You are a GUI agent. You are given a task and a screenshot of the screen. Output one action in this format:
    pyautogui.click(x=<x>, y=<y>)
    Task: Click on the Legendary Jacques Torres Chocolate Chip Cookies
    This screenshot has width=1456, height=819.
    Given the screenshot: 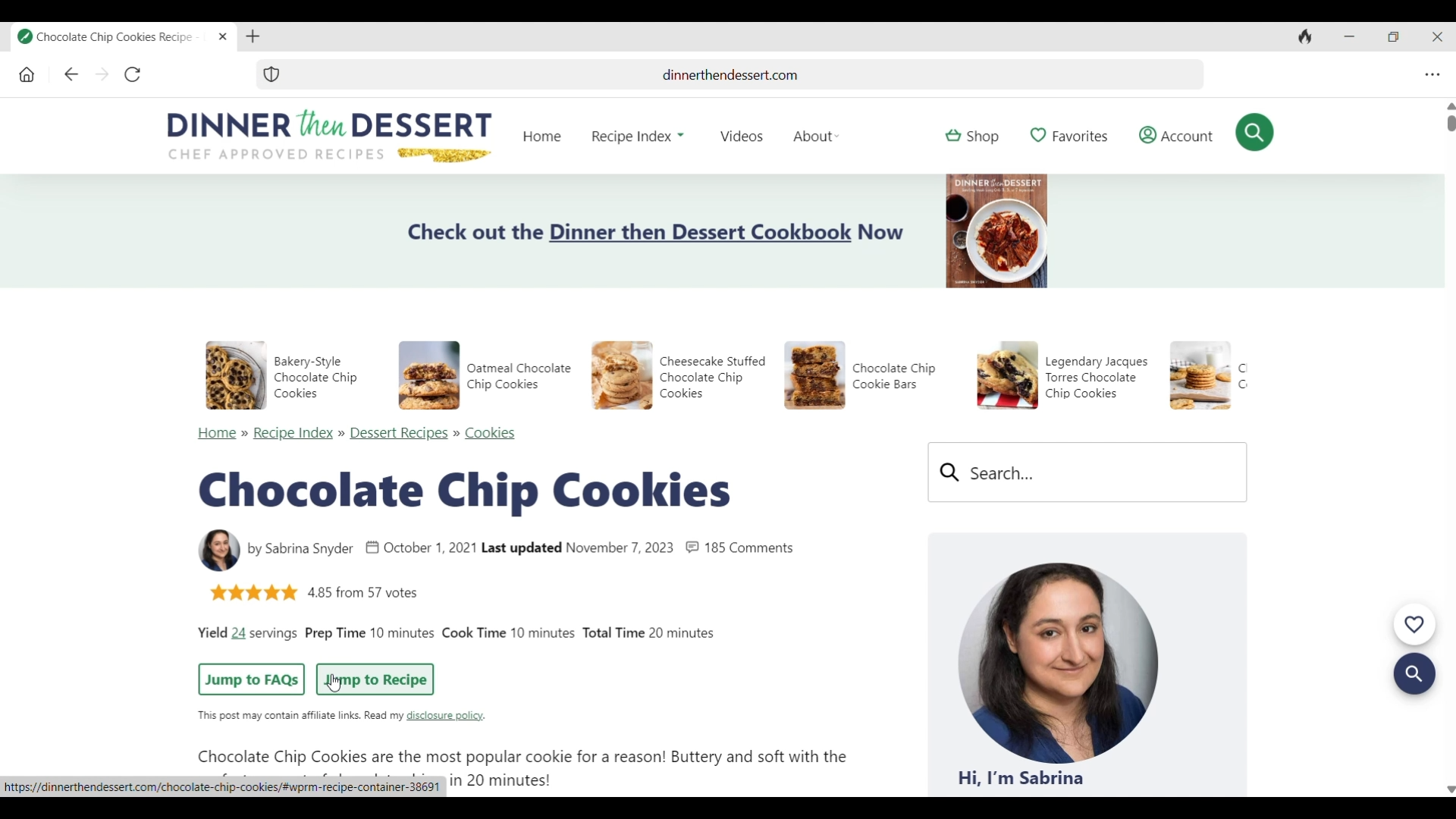 What is the action you would take?
    pyautogui.click(x=1097, y=378)
    